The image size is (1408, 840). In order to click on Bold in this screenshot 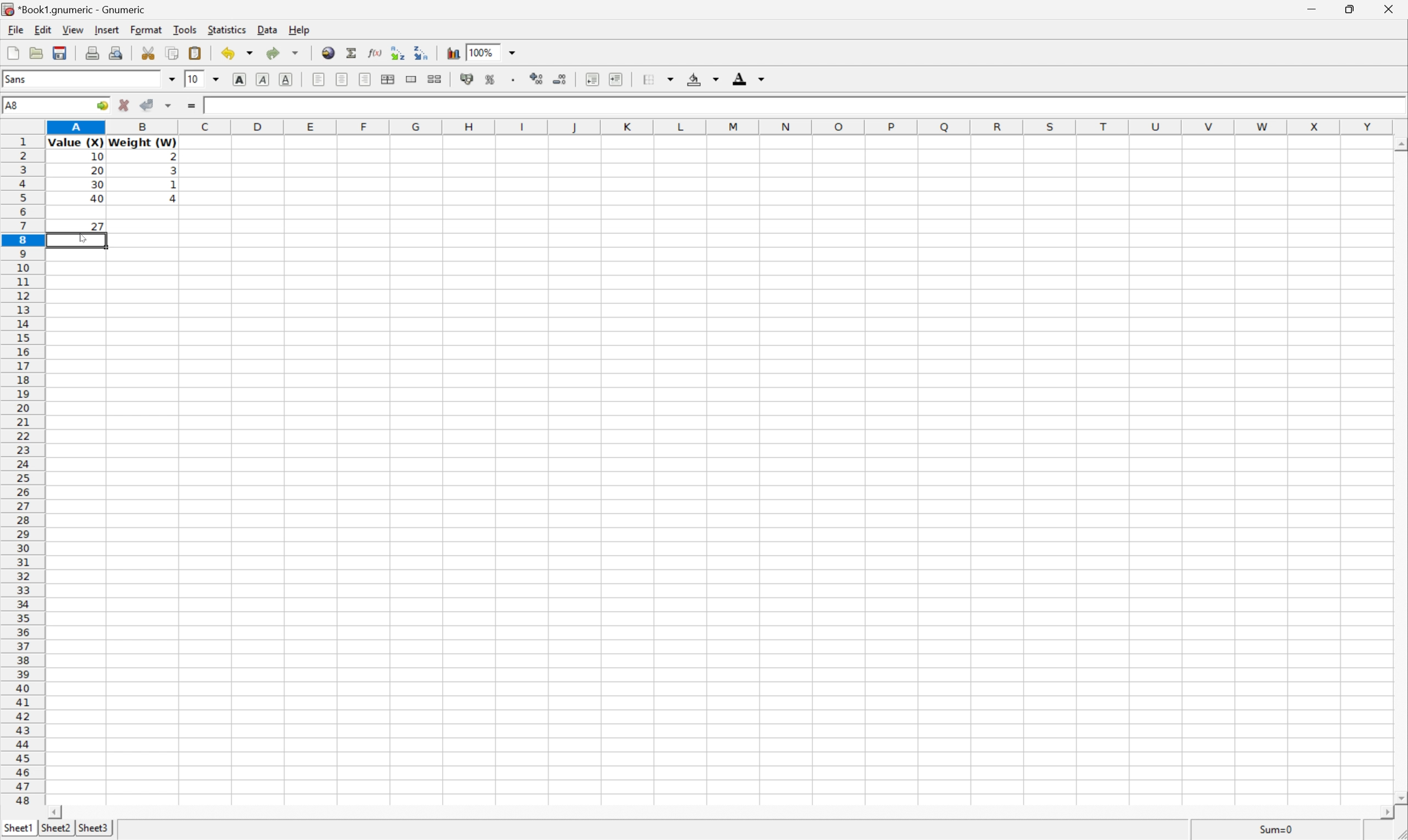, I will do `click(241, 79)`.